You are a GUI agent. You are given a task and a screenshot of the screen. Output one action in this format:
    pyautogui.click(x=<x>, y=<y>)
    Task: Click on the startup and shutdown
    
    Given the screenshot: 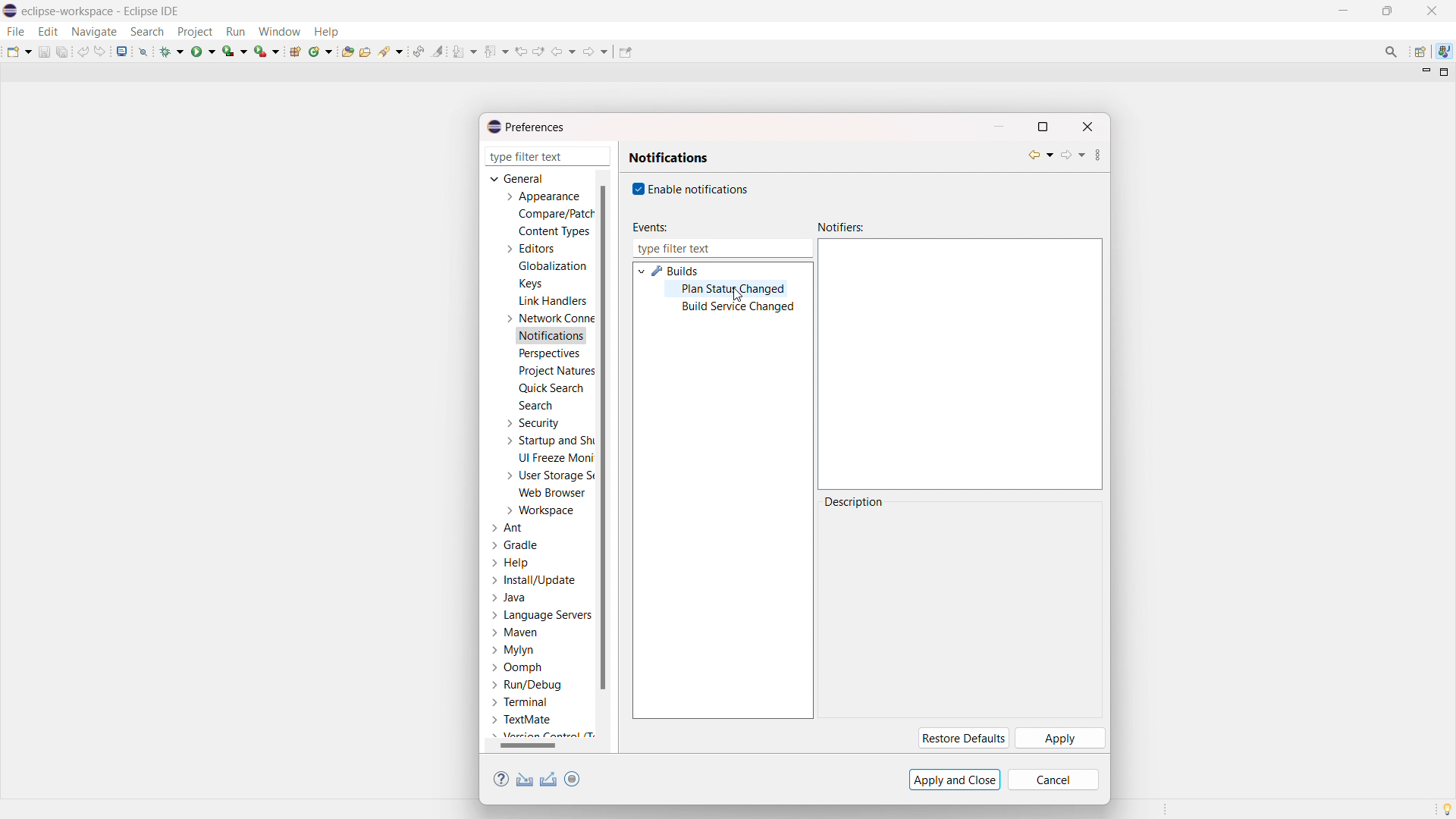 What is the action you would take?
    pyautogui.click(x=548, y=441)
    